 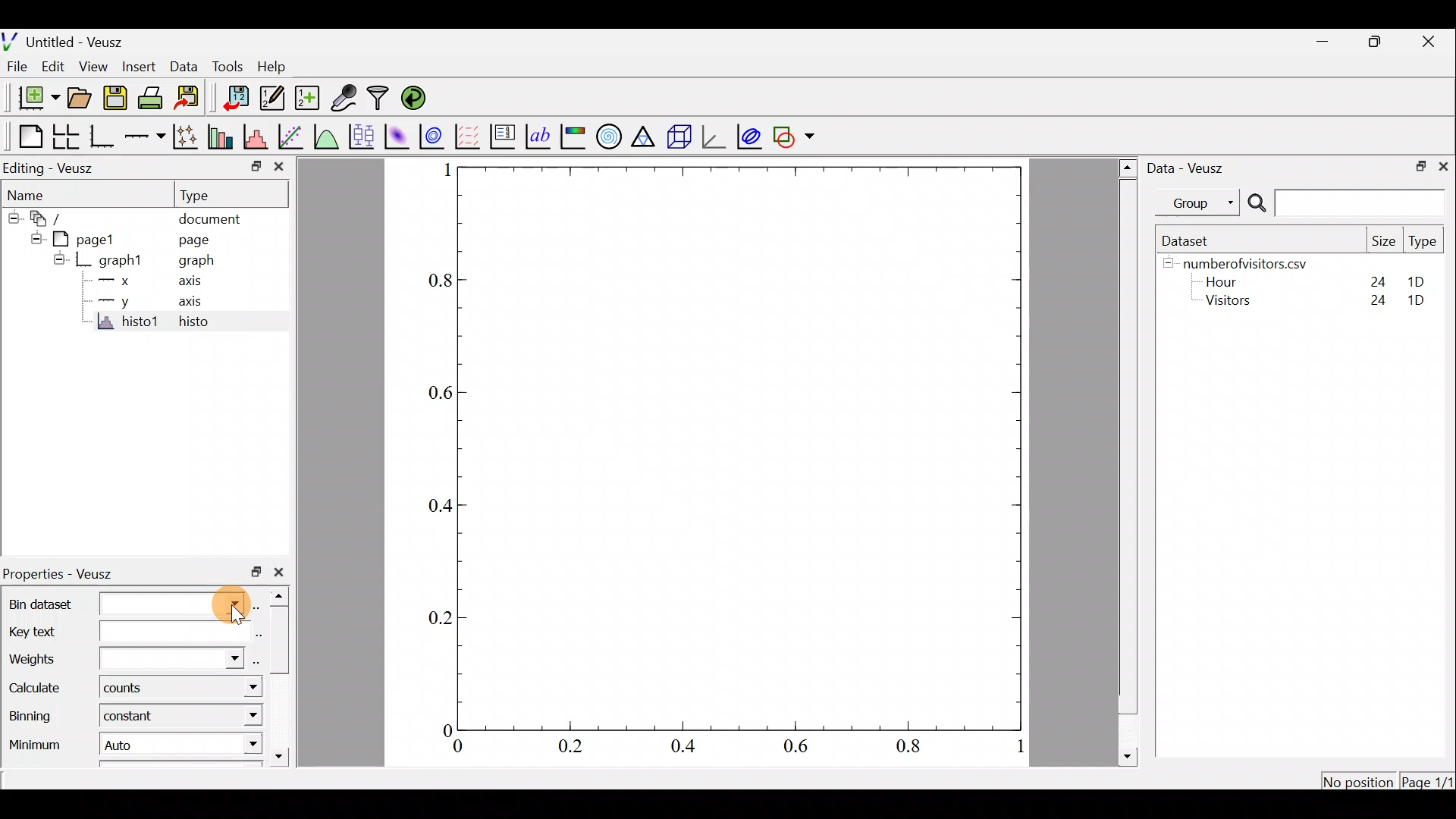 I want to click on add a shape to the plot, so click(x=795, y=137).